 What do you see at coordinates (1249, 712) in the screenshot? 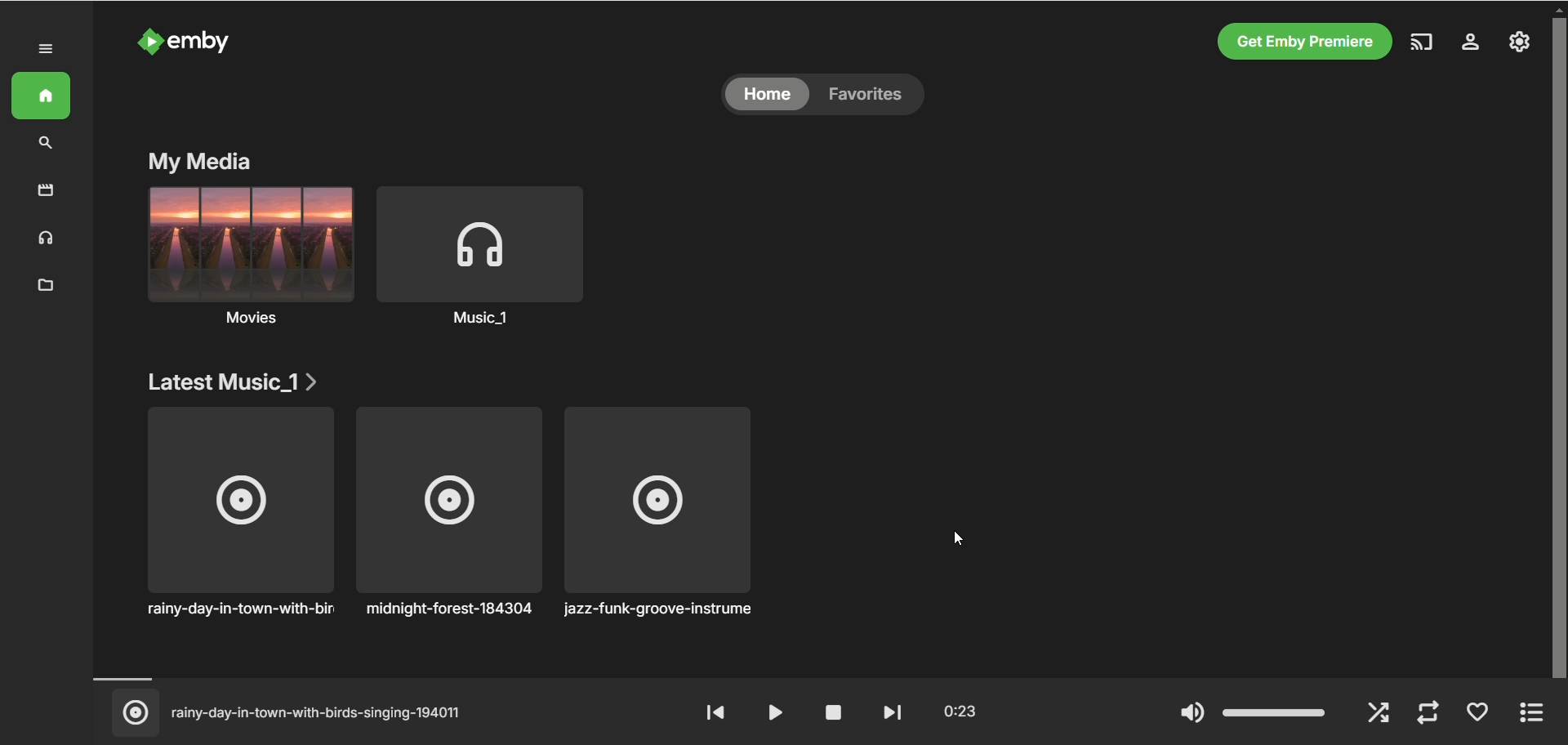
I see `volume` at bounding box center [1249, 712].